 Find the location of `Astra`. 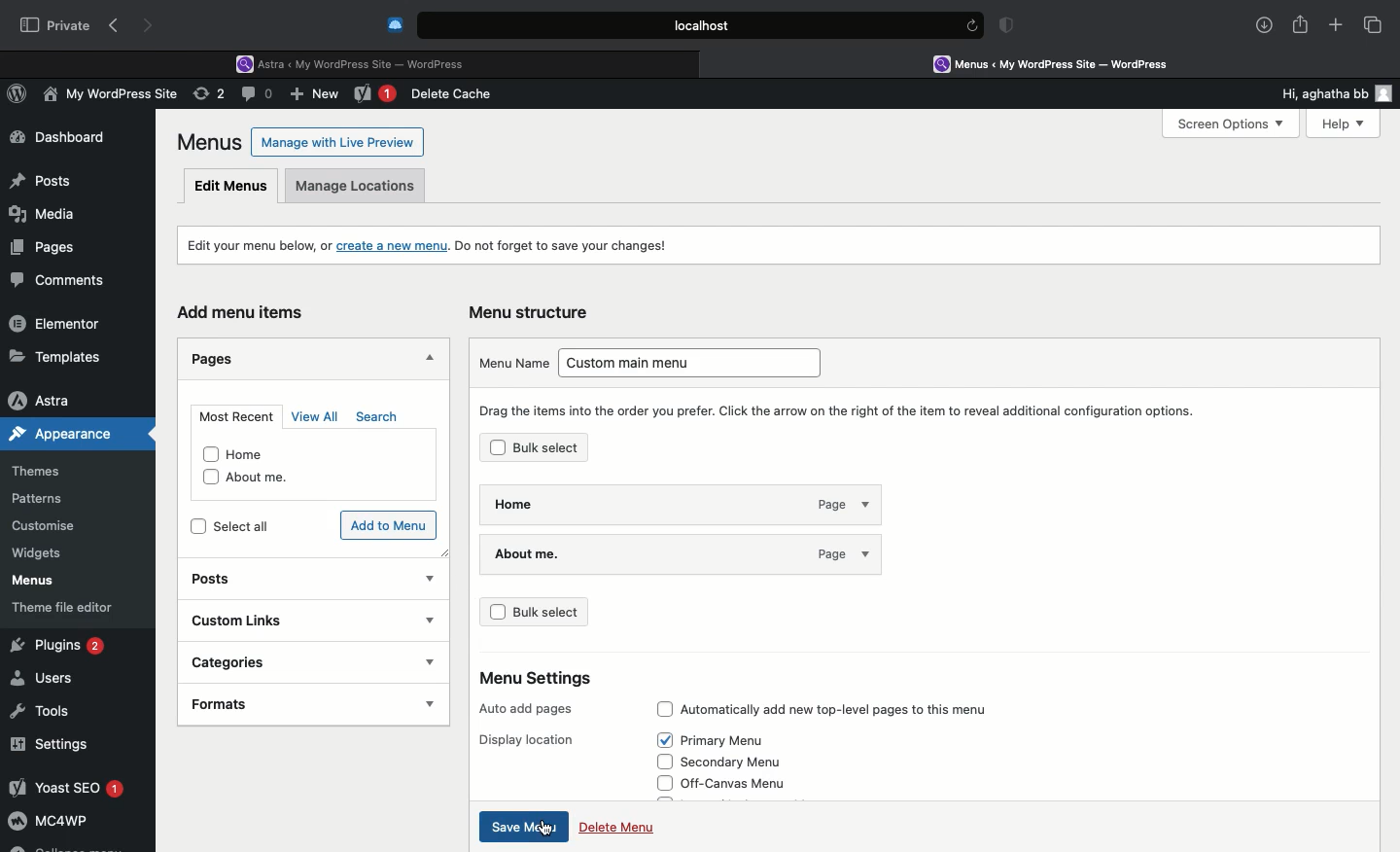

Astra is located at coordinates (57, 400).